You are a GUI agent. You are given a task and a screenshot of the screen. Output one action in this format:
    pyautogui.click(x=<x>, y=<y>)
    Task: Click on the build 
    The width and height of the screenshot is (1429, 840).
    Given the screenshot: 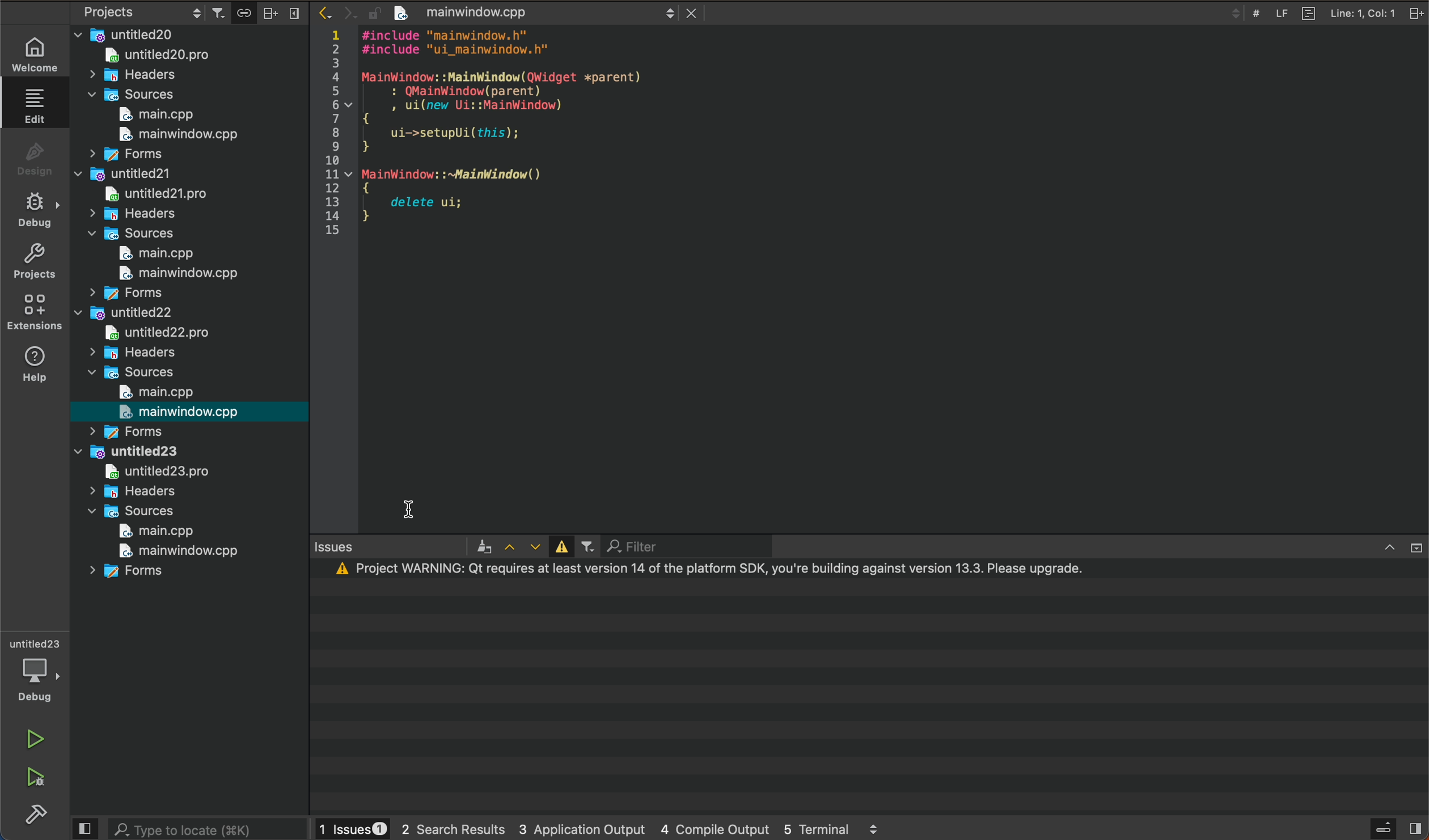 What is the action you would take?
    pyautogui.click(x=33, y=813)
    